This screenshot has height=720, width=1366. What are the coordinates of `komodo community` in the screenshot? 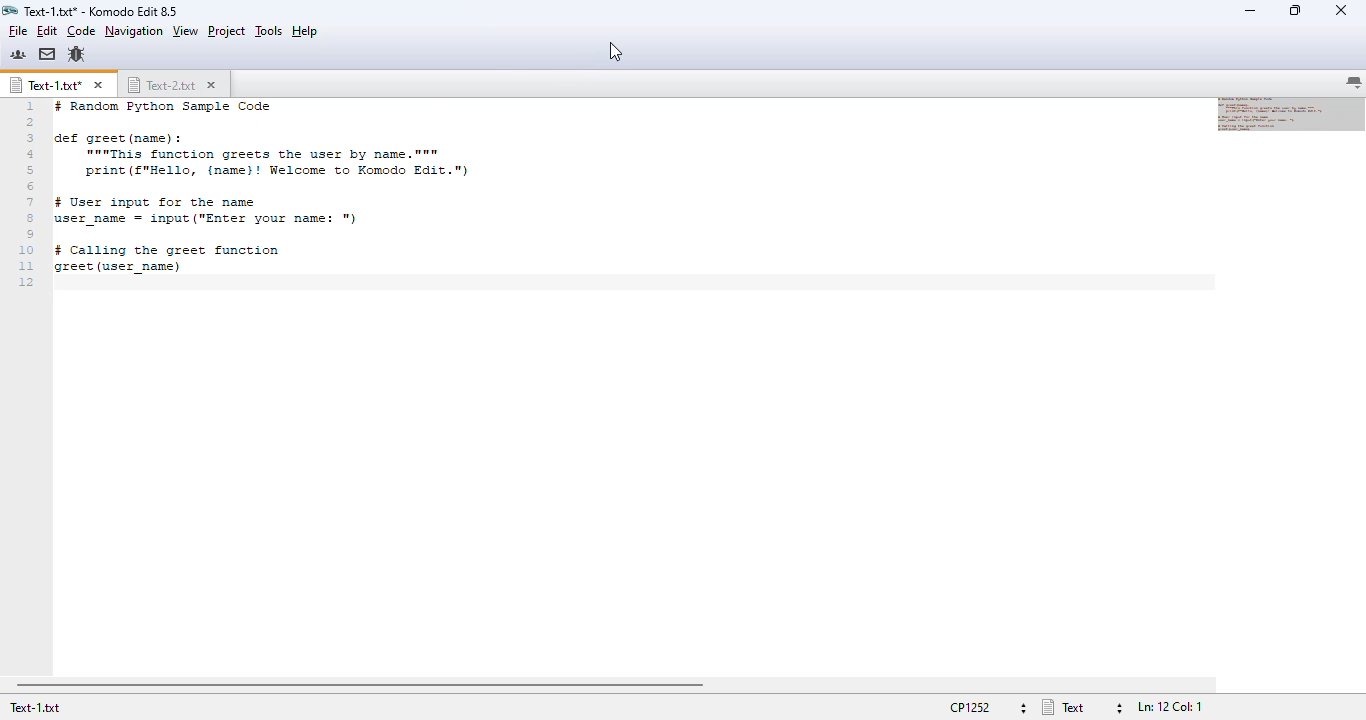 It's located at (18, 54).